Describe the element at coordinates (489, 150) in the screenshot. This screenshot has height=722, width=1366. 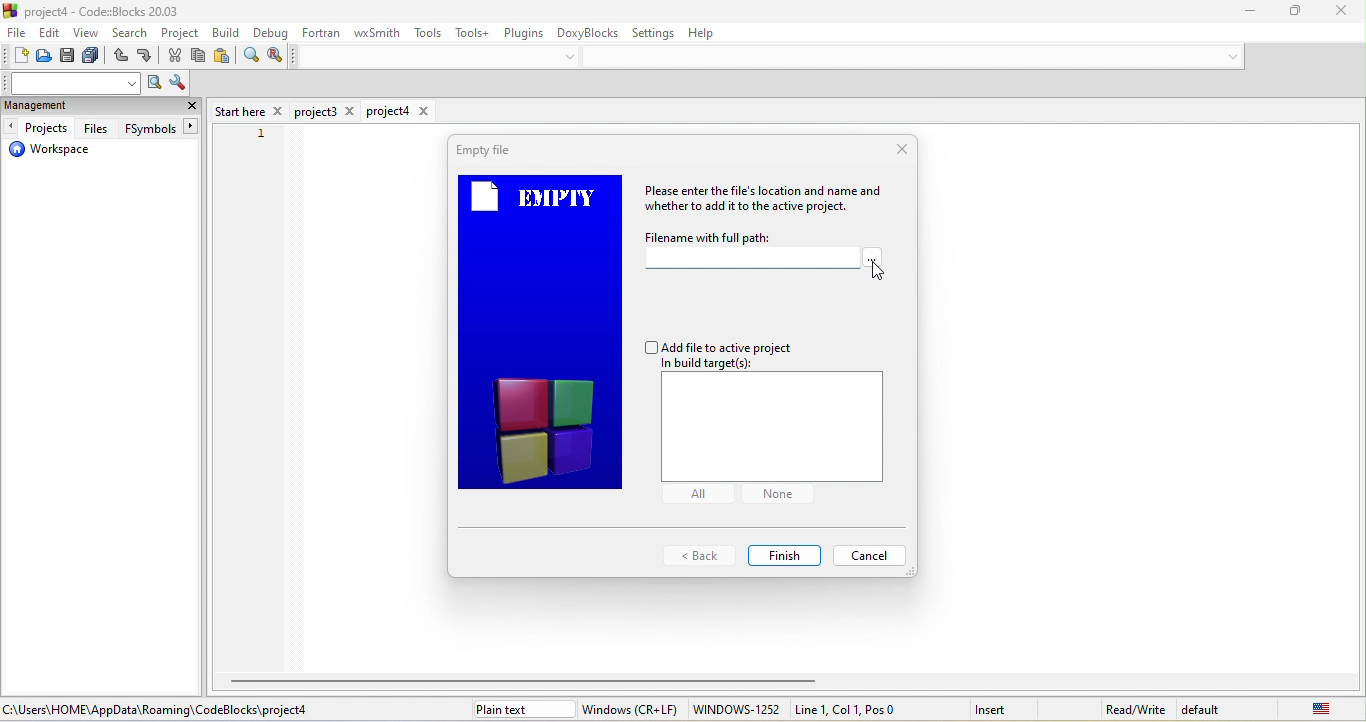
I see `Empty file` at that location.